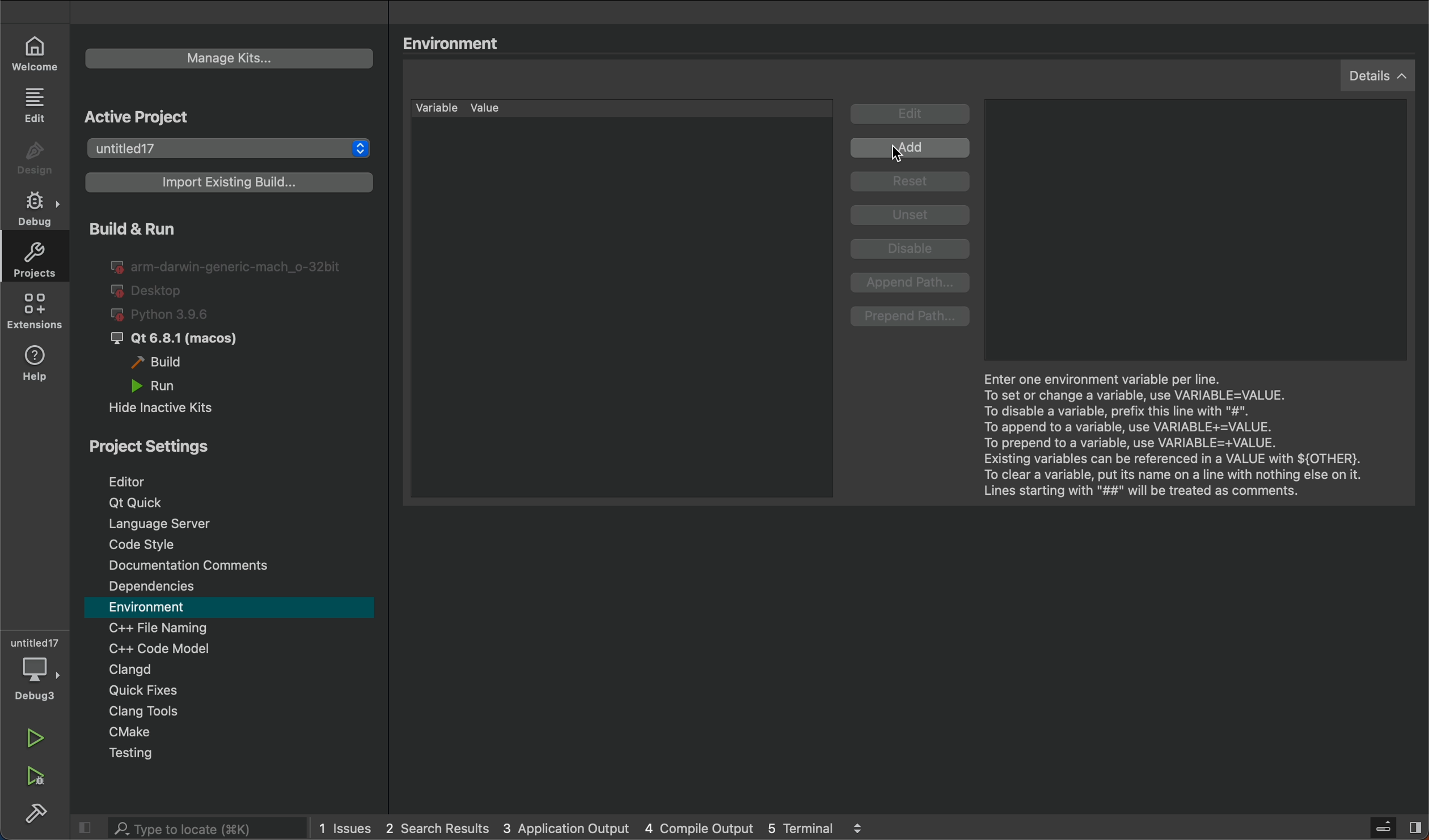  What do you see at coordinates (150, 291) in the screenshot?
I see `desktop` at bounding box center [150, 291].